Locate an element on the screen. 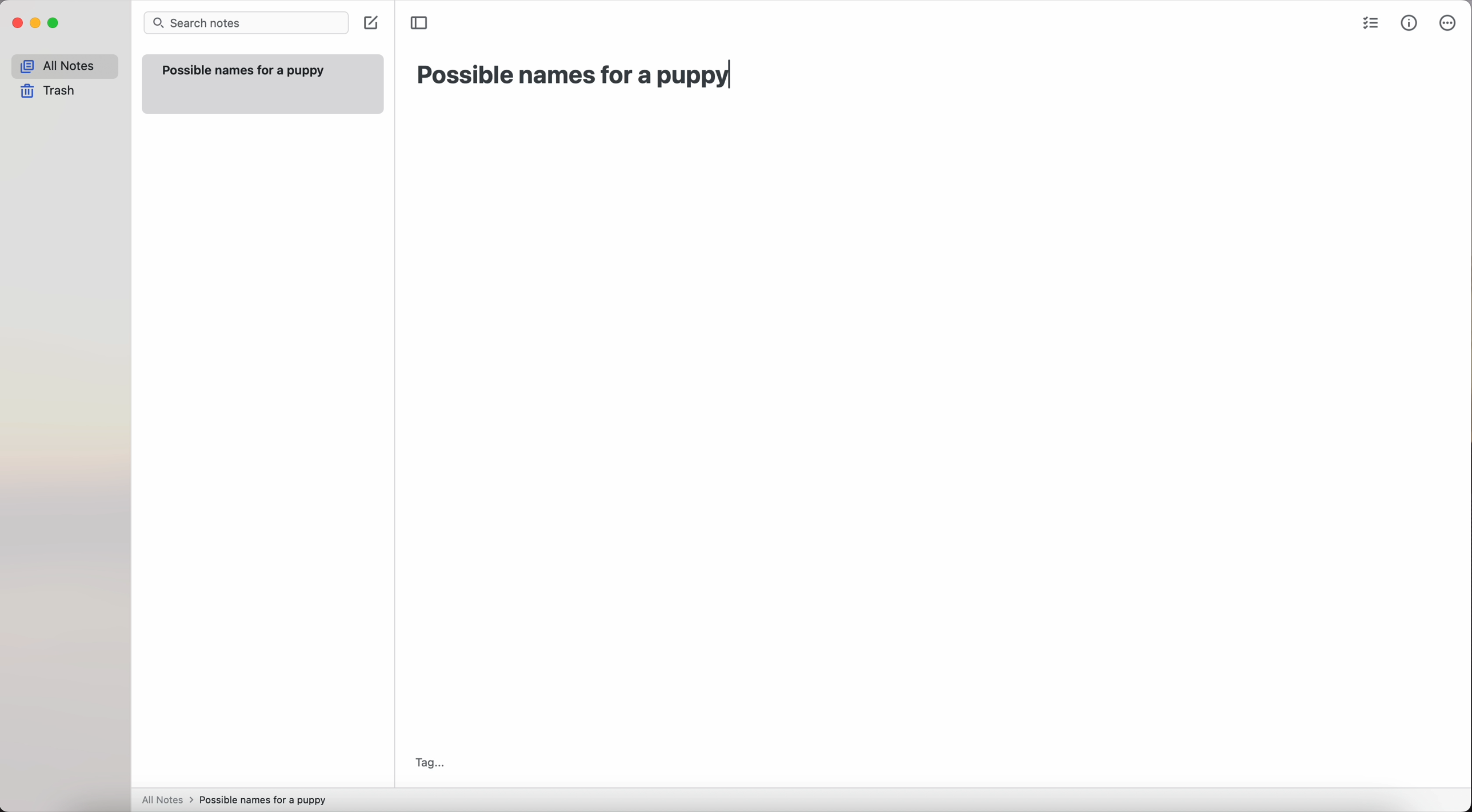 Image resolution: width=1472 pixels, height=812 pixels. all notes is located at coordinates (65, 66).